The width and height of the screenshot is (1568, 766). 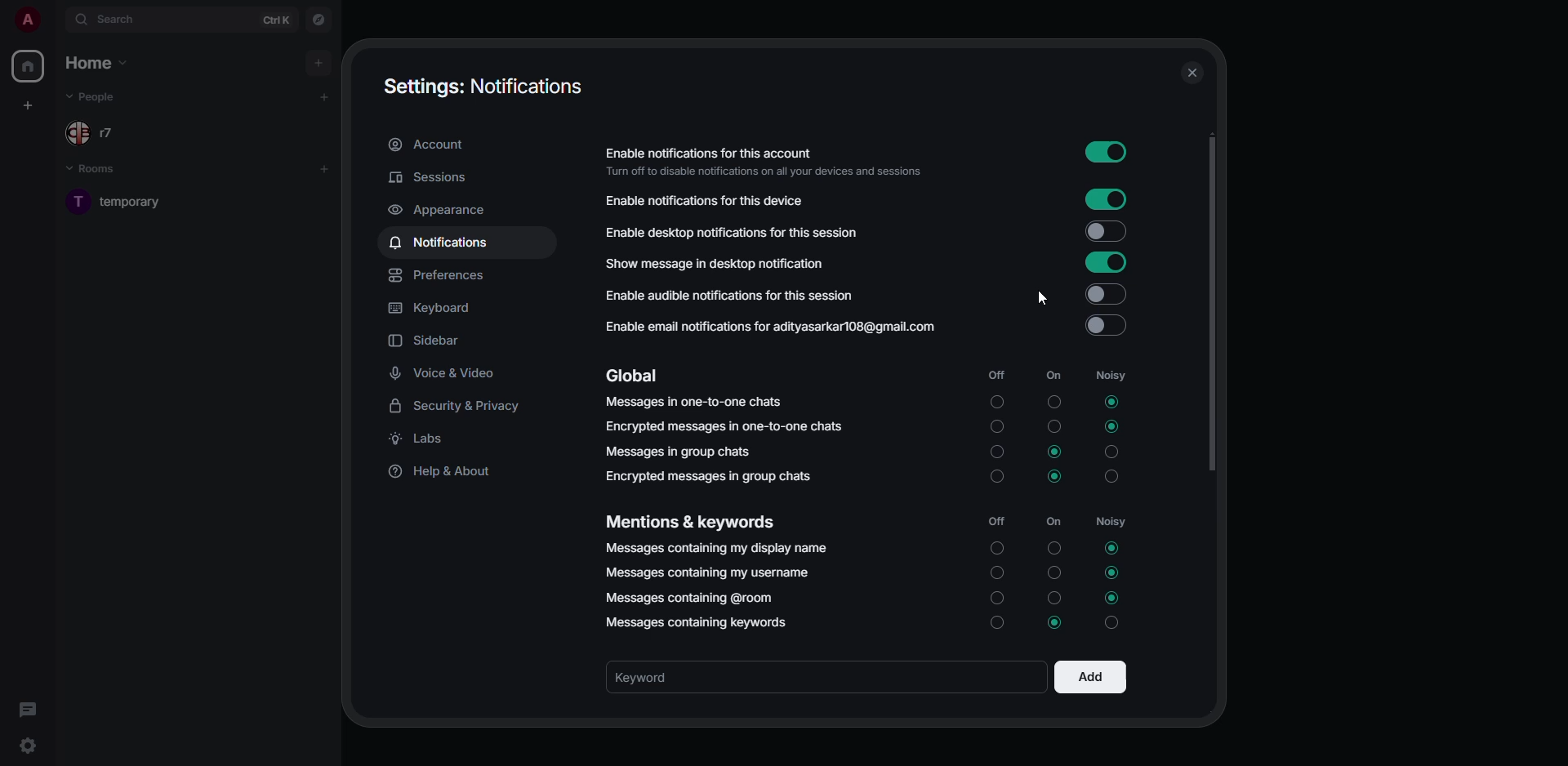 I want to click on enable notifications for this device, so click(x=702, y=201).